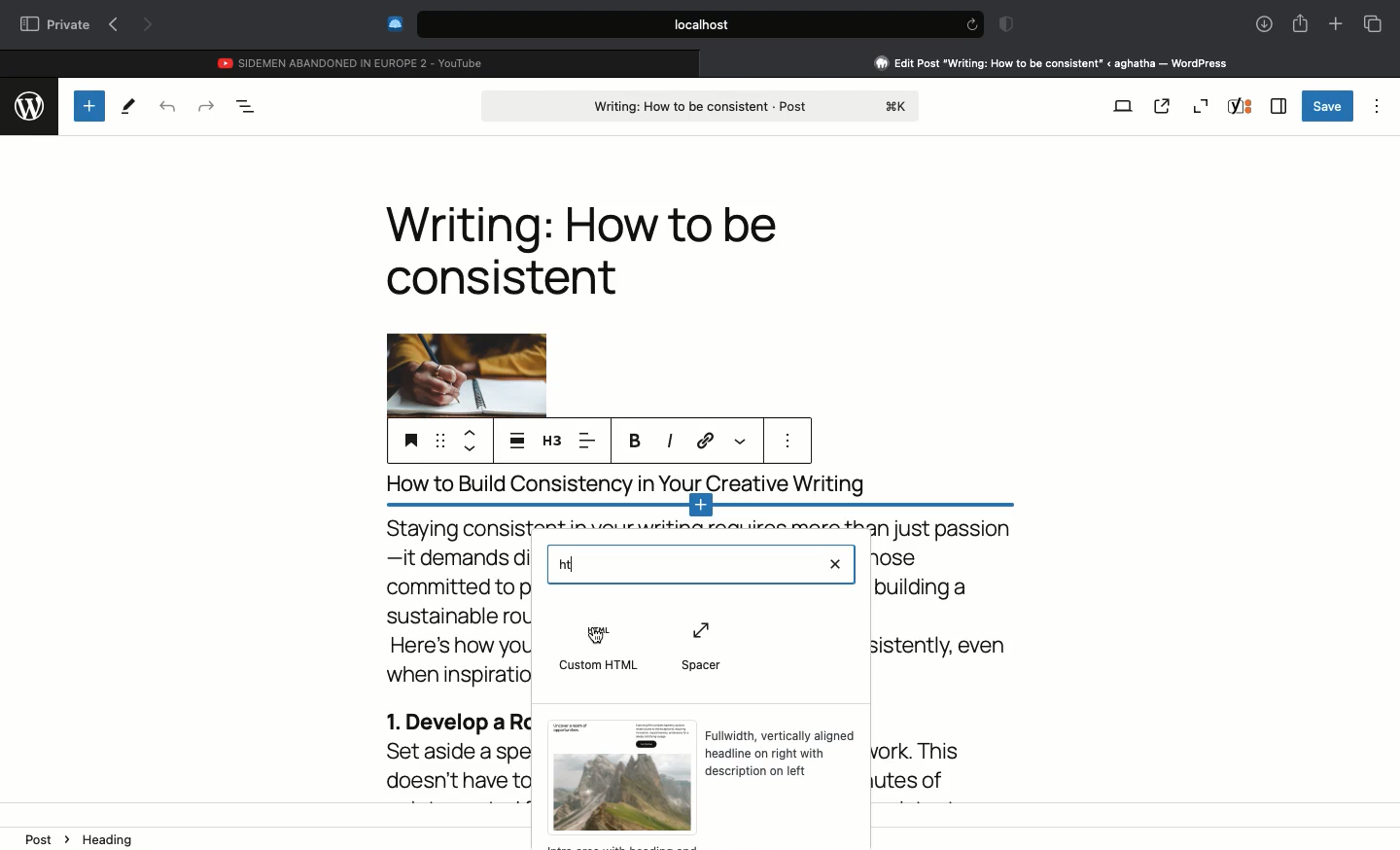 The width and height of the screenshot is (1400, 850). I want to click on Share, so click(1300, 21).